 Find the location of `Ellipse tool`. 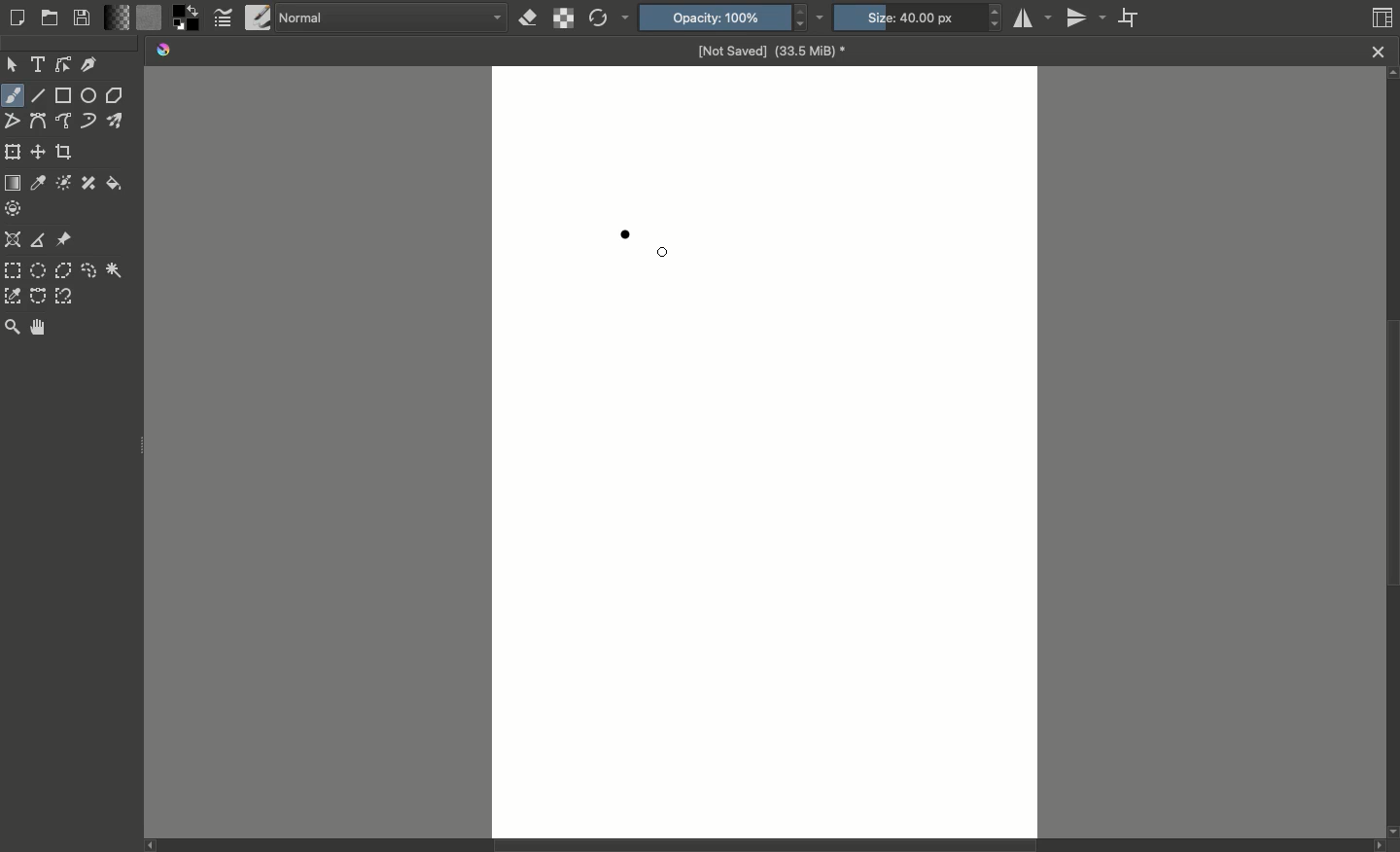

Ellipse tool is located at coordinates (90, 97).